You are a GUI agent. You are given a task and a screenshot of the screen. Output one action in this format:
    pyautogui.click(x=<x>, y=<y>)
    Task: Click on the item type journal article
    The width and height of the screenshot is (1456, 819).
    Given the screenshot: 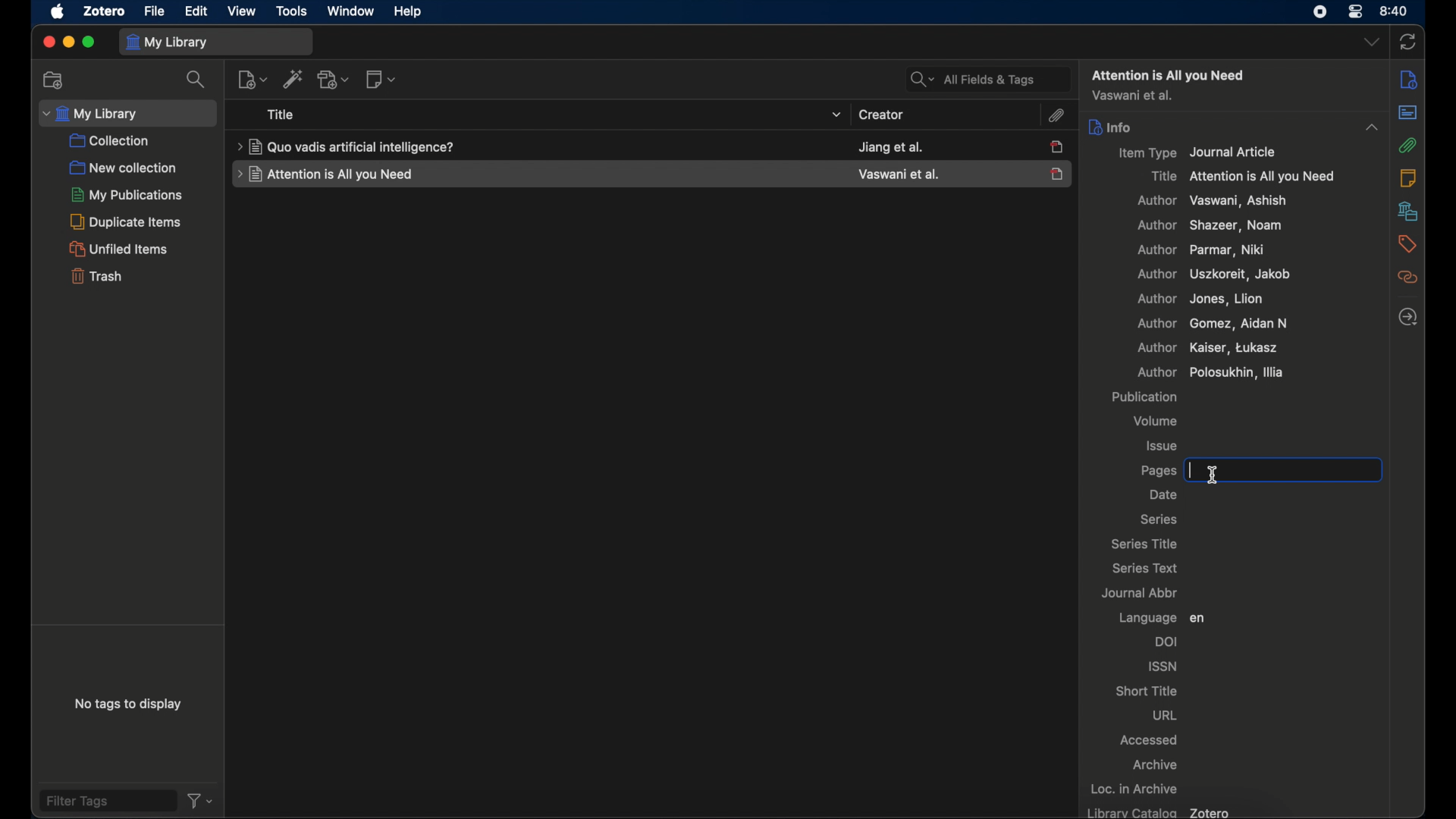 What is the action you would take?
    pyautogui.click(x=1205, y=153)
    